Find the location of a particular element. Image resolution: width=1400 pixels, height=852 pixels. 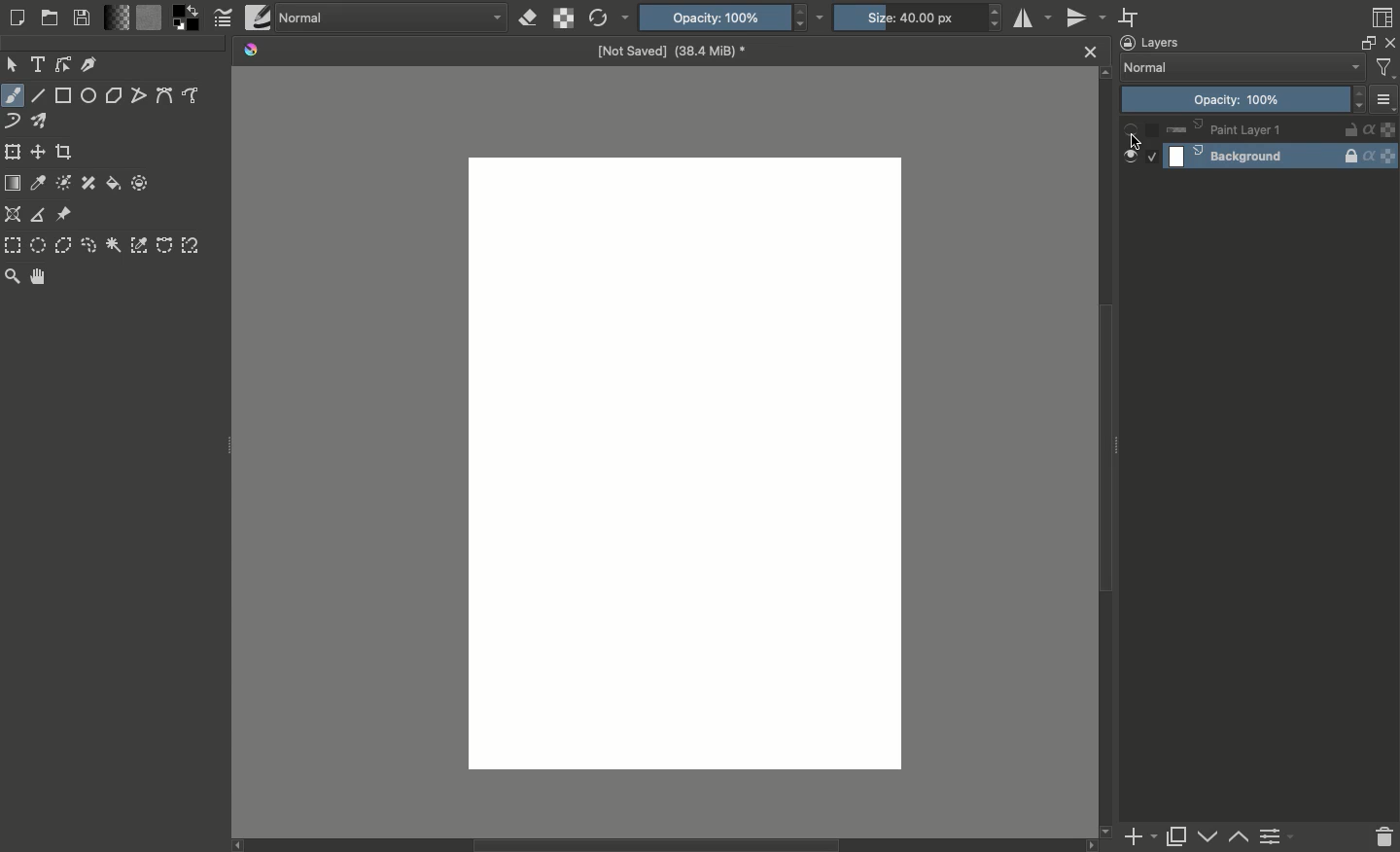

Visible is located at coordinates (1135, 158).